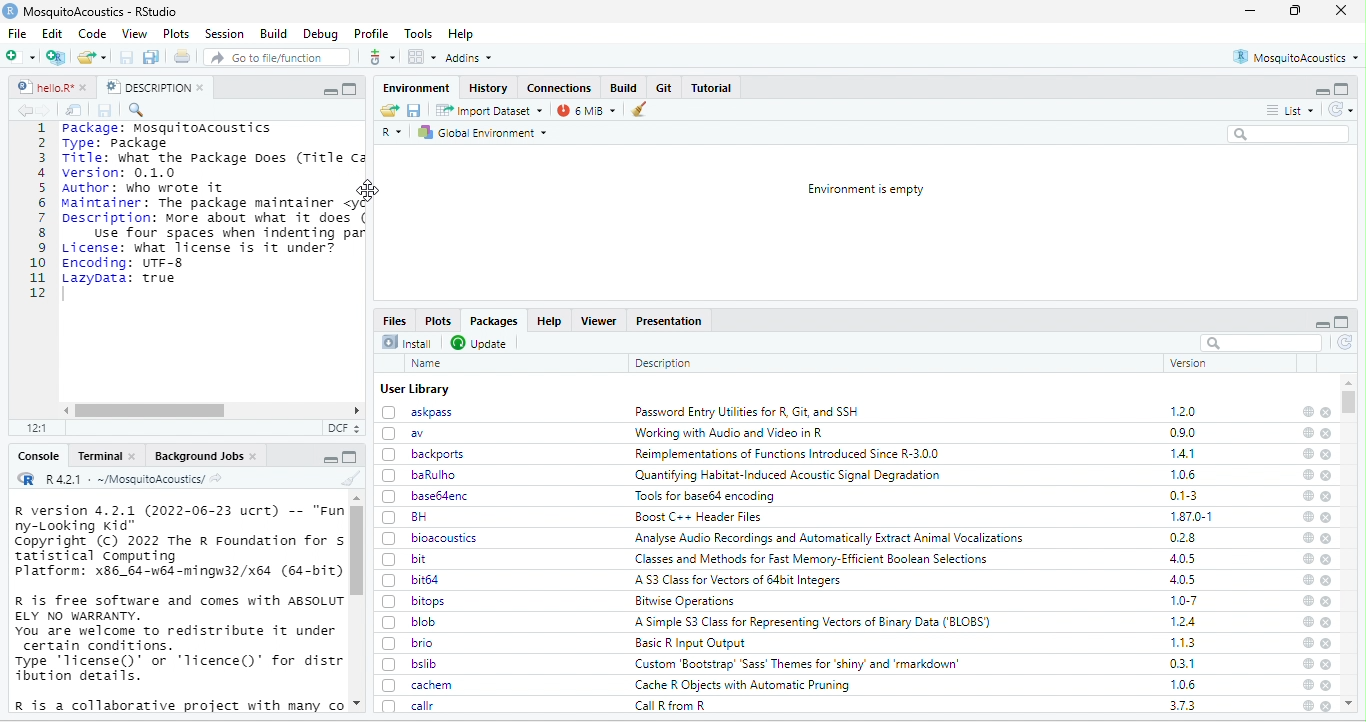 The image size is (1366, 722). I want to click on help, so click(1309, 411).